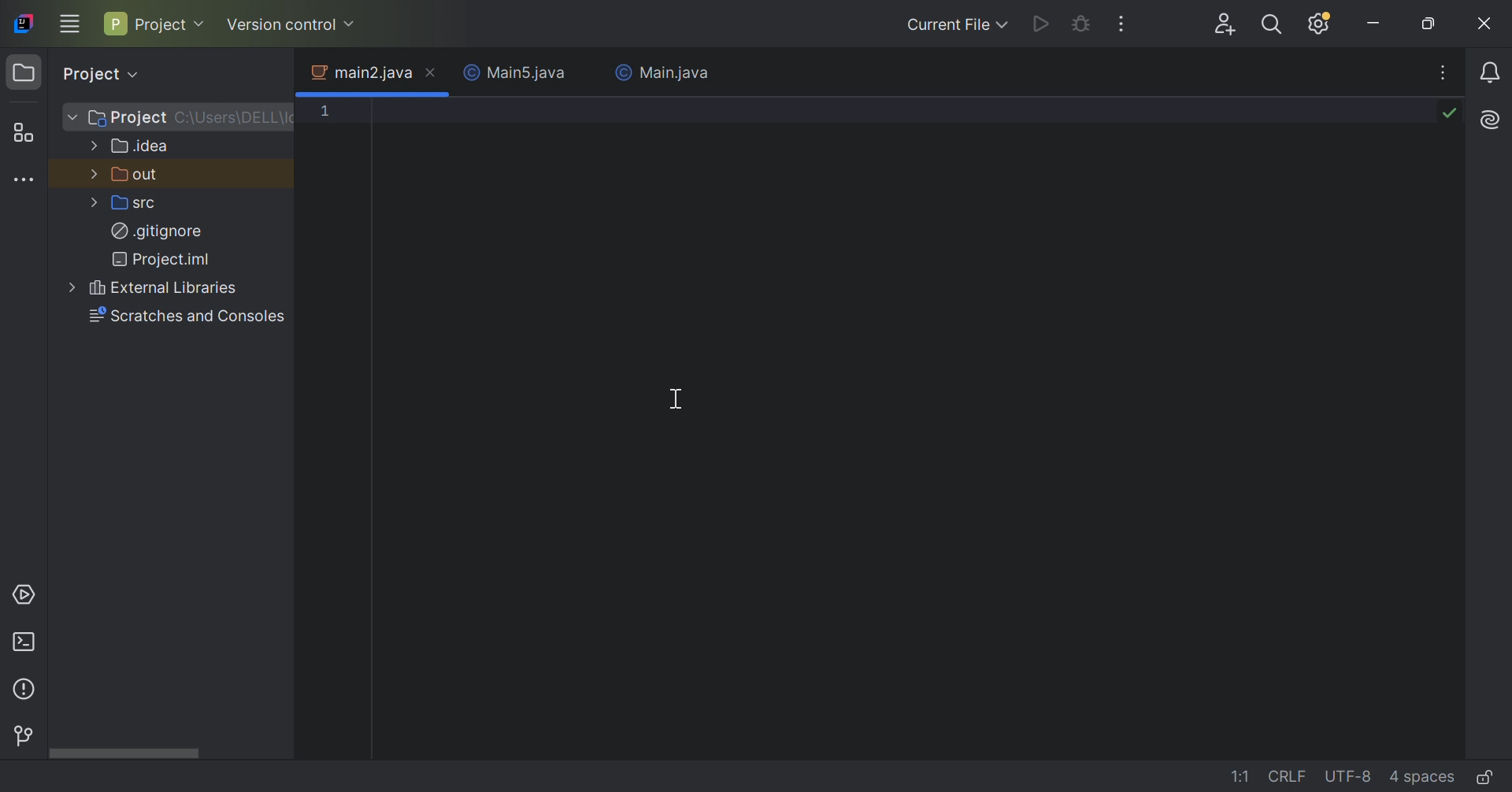 Image resolution: width=1512 pixels, height=792 pixels. What do you see at coordinates (1492, 73) in the screenshot?
I see `Notifications` at bounding box center [1492, 73].